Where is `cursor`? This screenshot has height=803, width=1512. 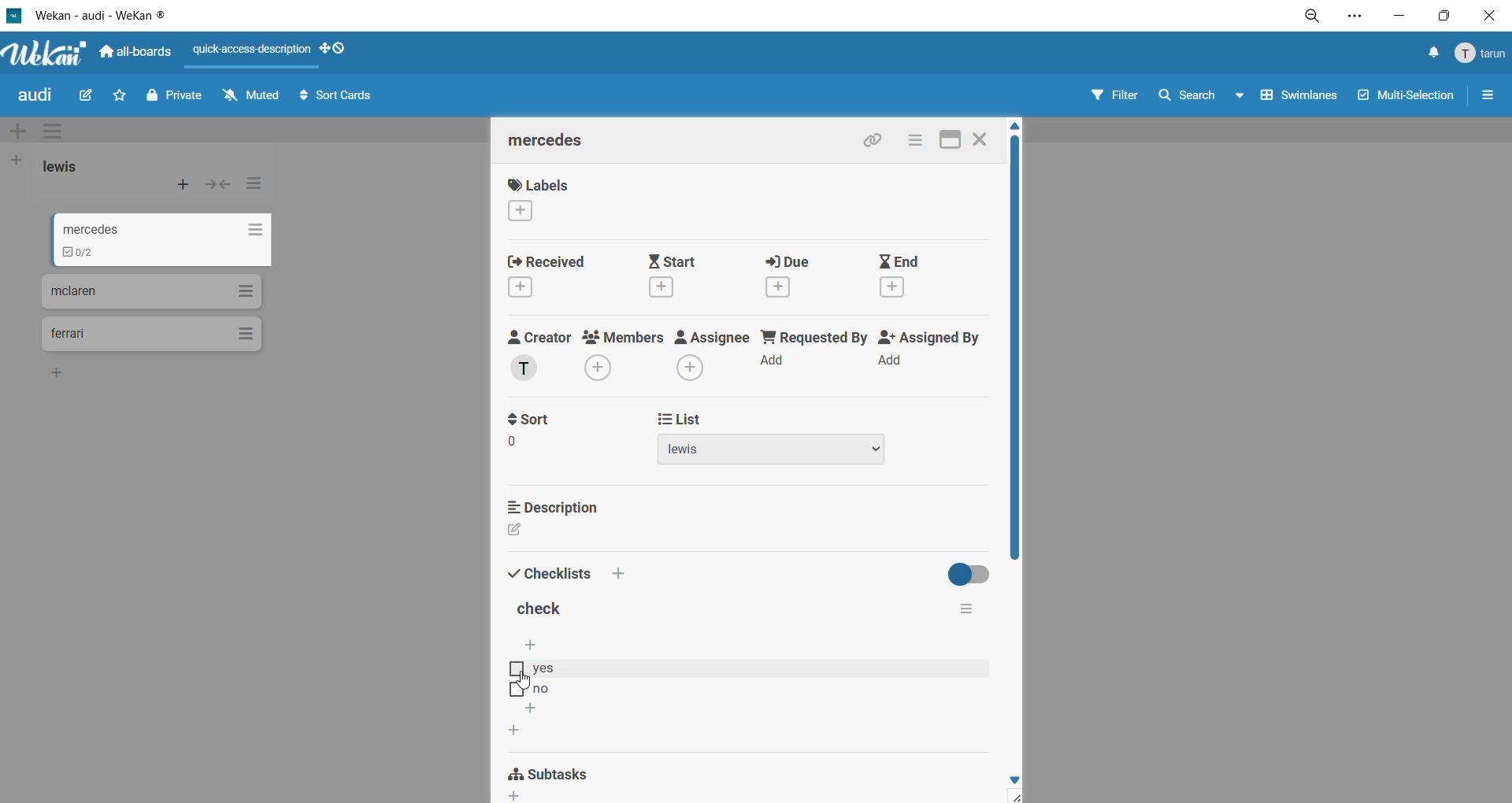 cursor is located at coordinates (528, 679).